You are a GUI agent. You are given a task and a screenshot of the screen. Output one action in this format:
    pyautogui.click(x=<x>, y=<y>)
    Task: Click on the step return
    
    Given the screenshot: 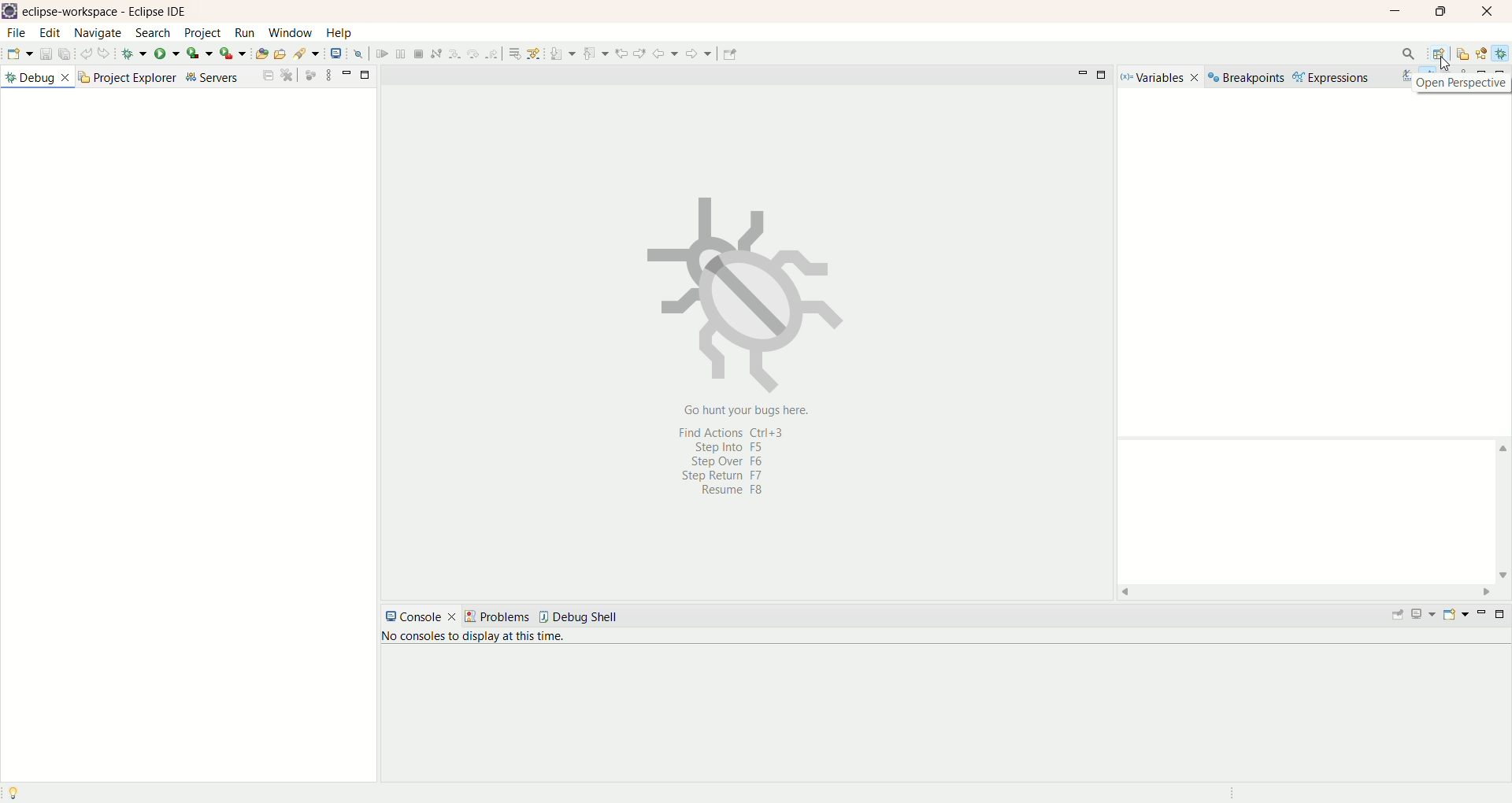 What is the action you would take?
    pyautogui.click(x=607, y=54)
    